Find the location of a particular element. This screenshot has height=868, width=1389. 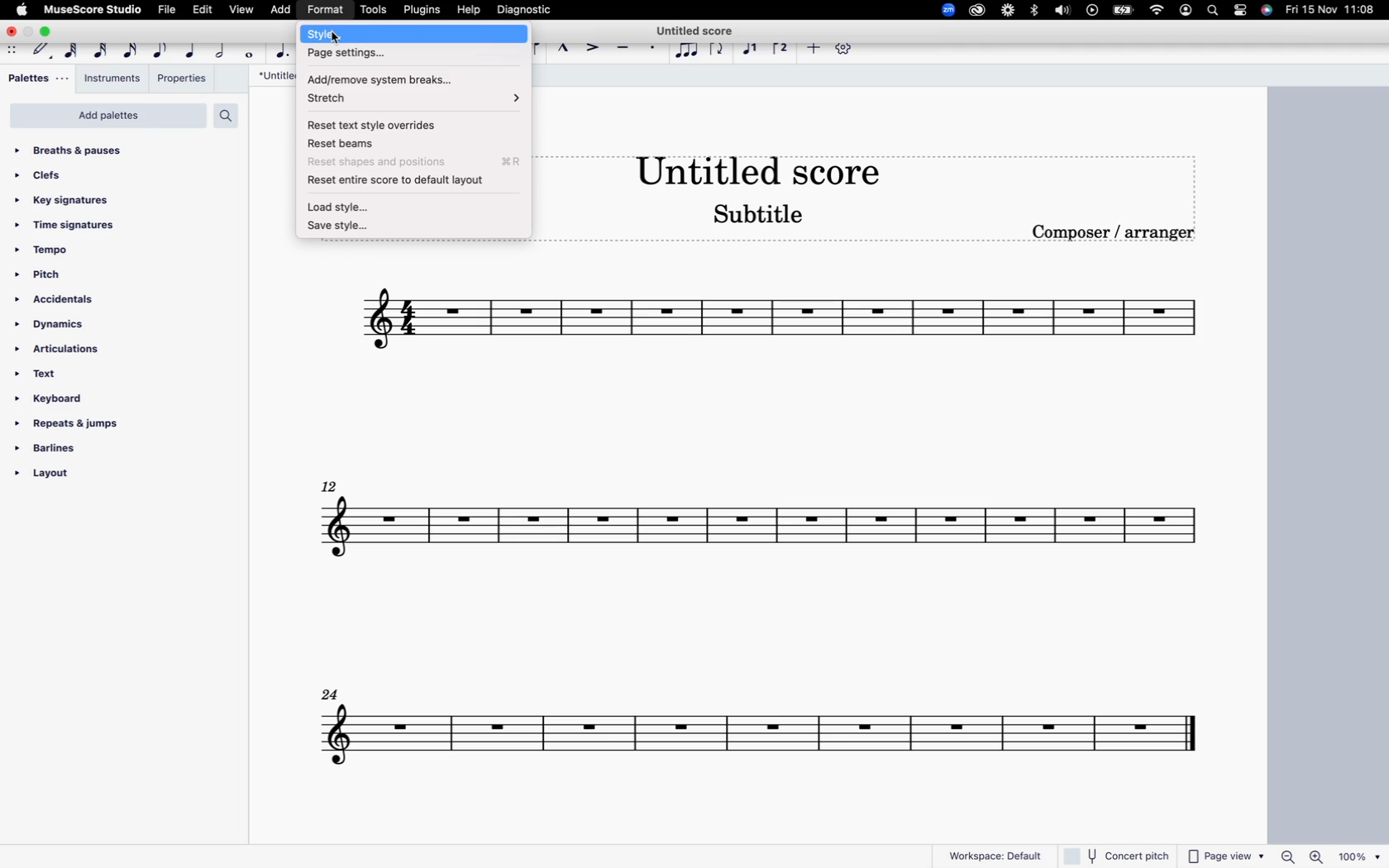

tenuto is located at coordinates (623, 50).